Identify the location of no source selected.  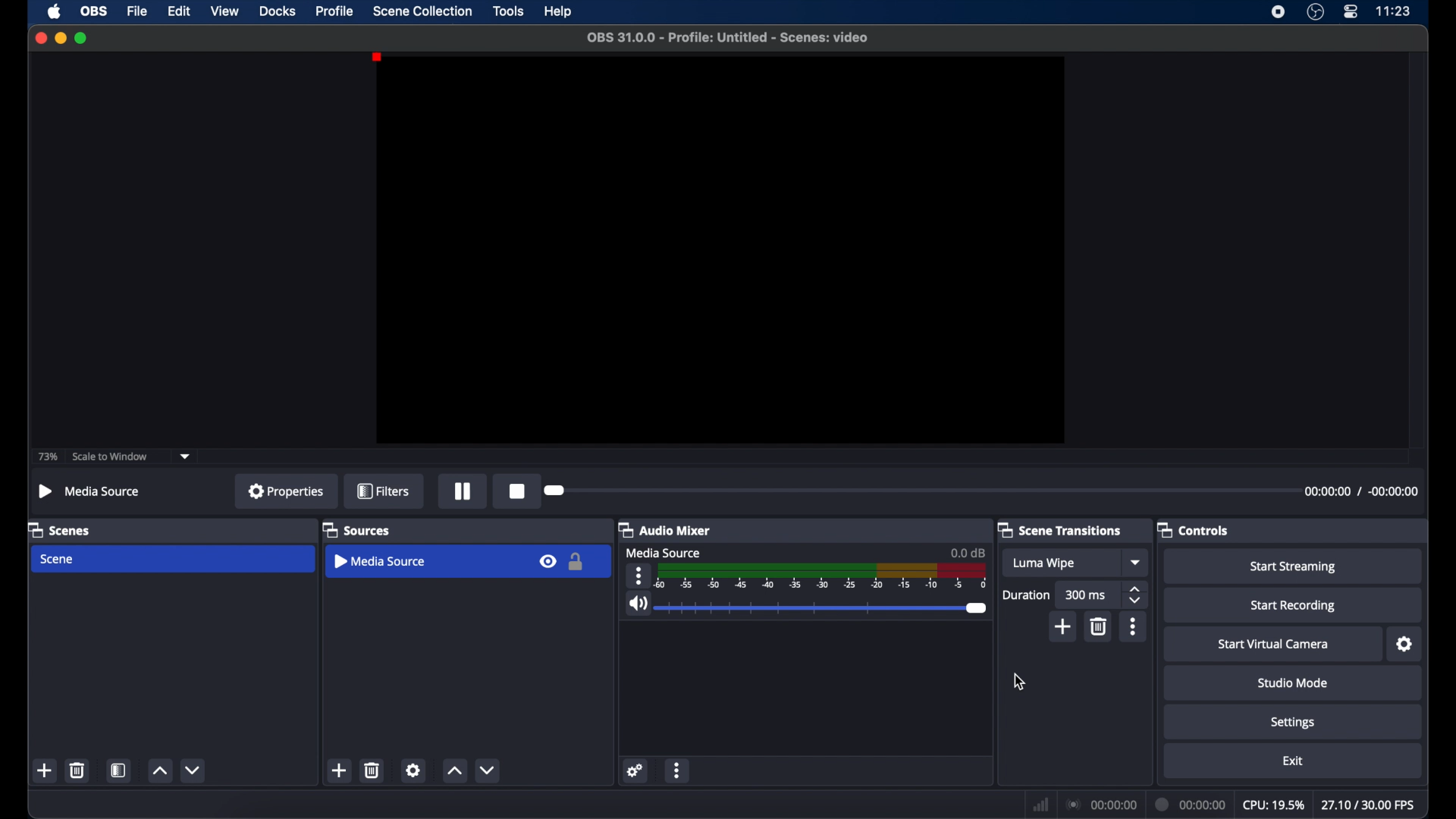
(90, 491).